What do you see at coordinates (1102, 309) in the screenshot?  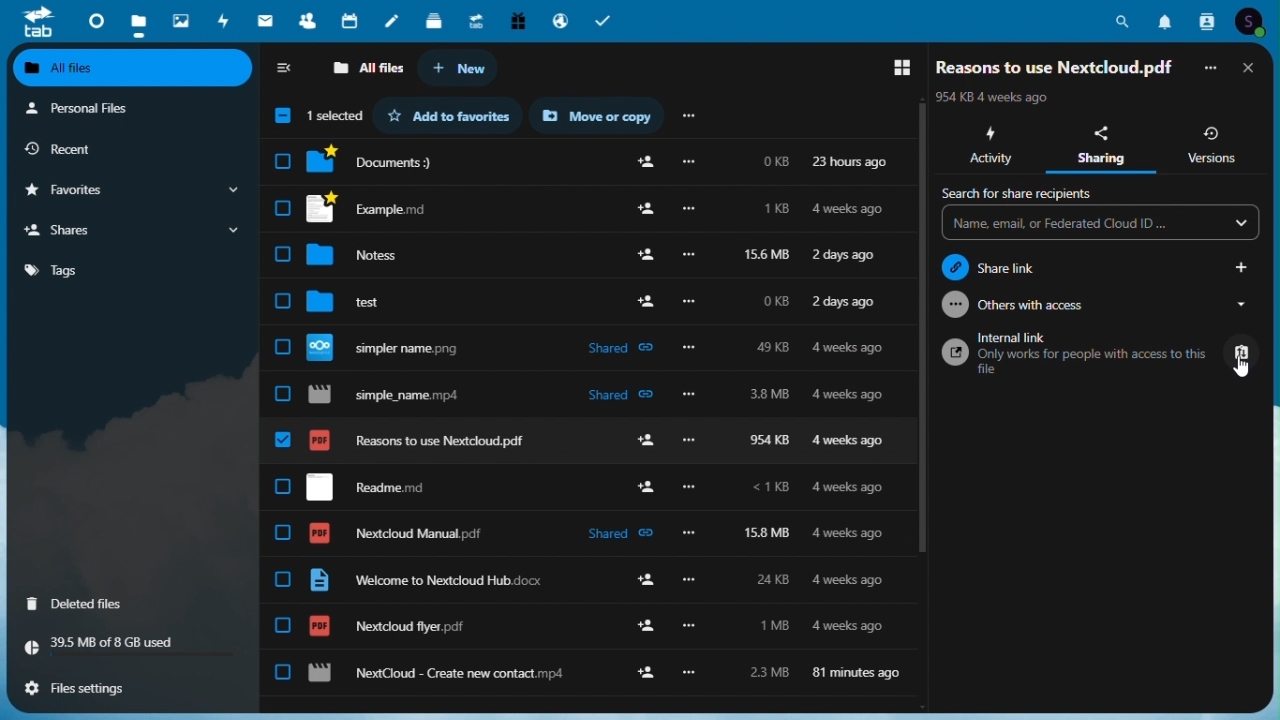 I see `Others with access` at bounding box center [1102, 309].